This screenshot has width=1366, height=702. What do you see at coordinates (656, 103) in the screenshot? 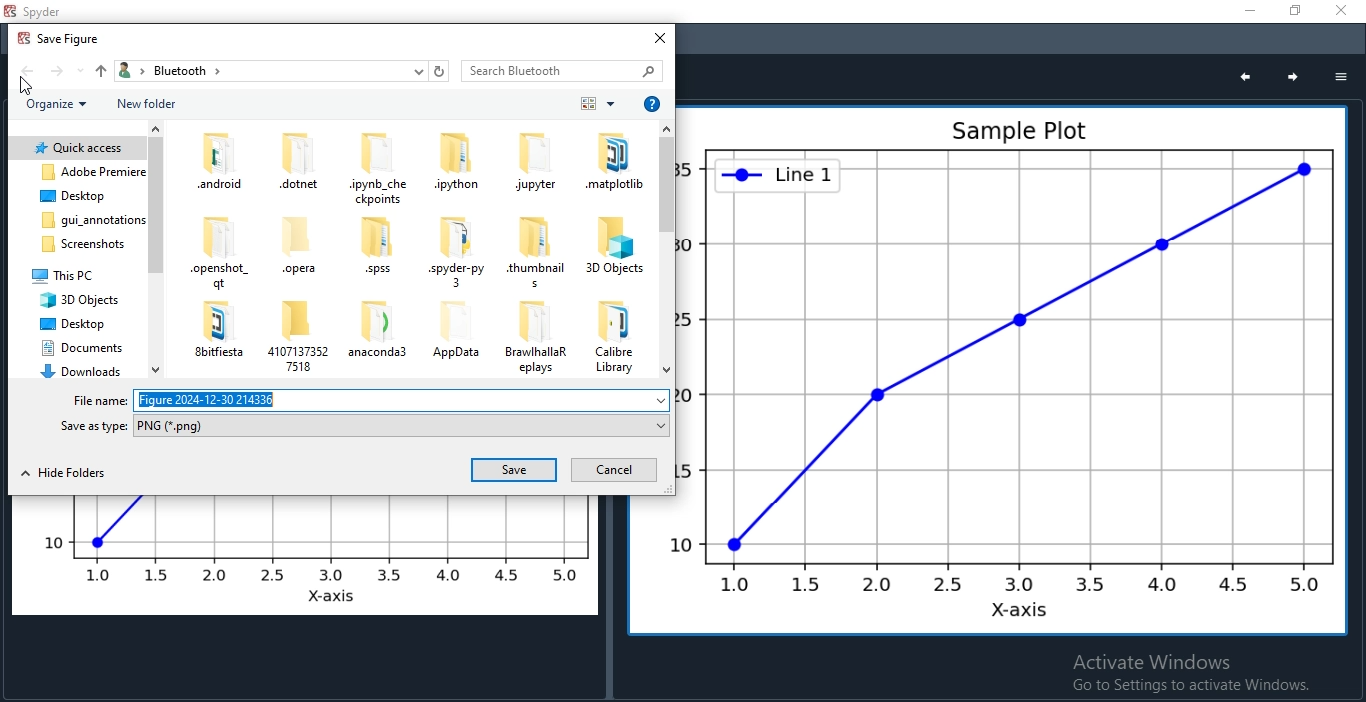
I see `help` at bounding box center [656, 103].